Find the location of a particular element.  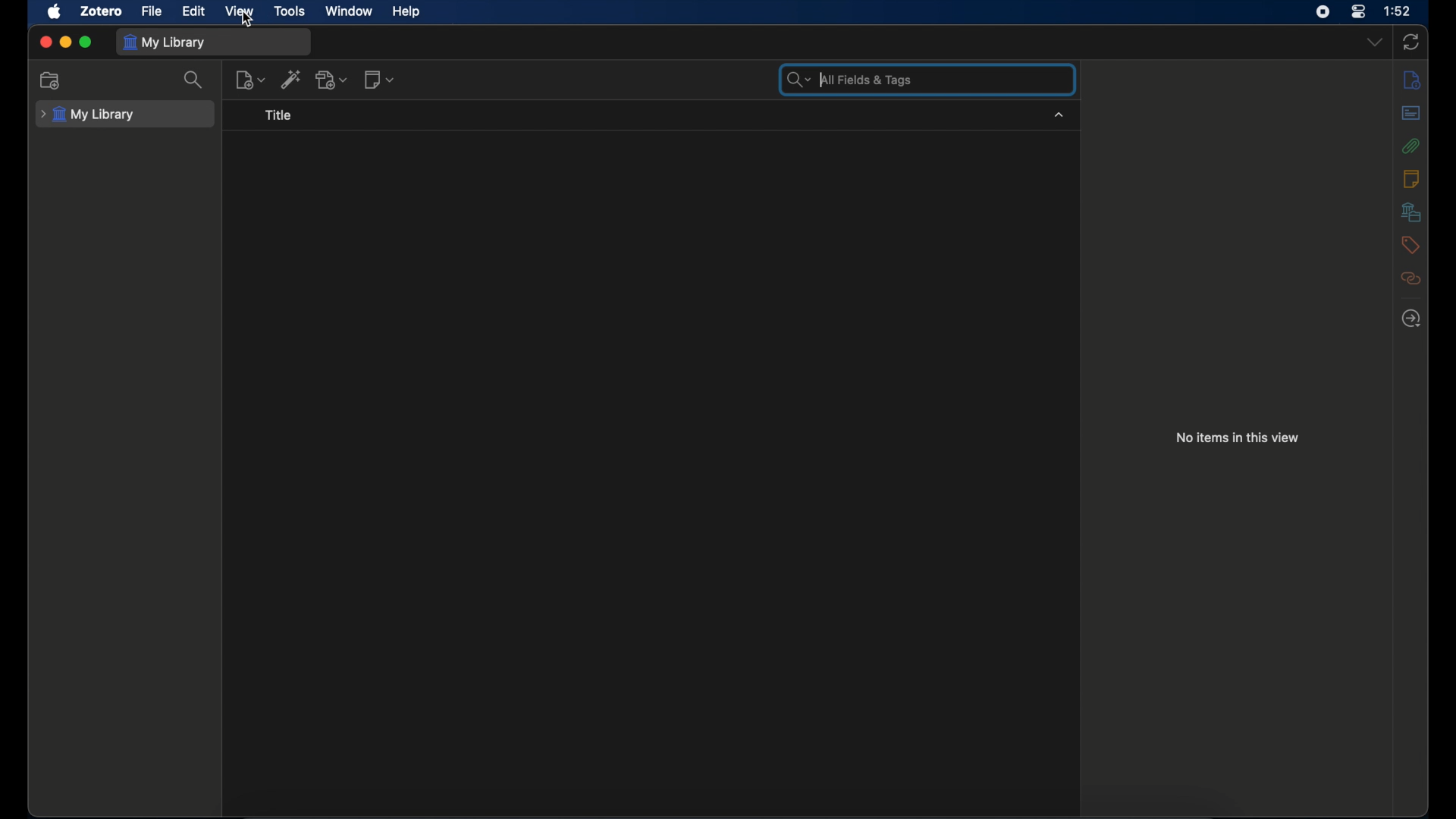

window is located at coordinates (350, 12).